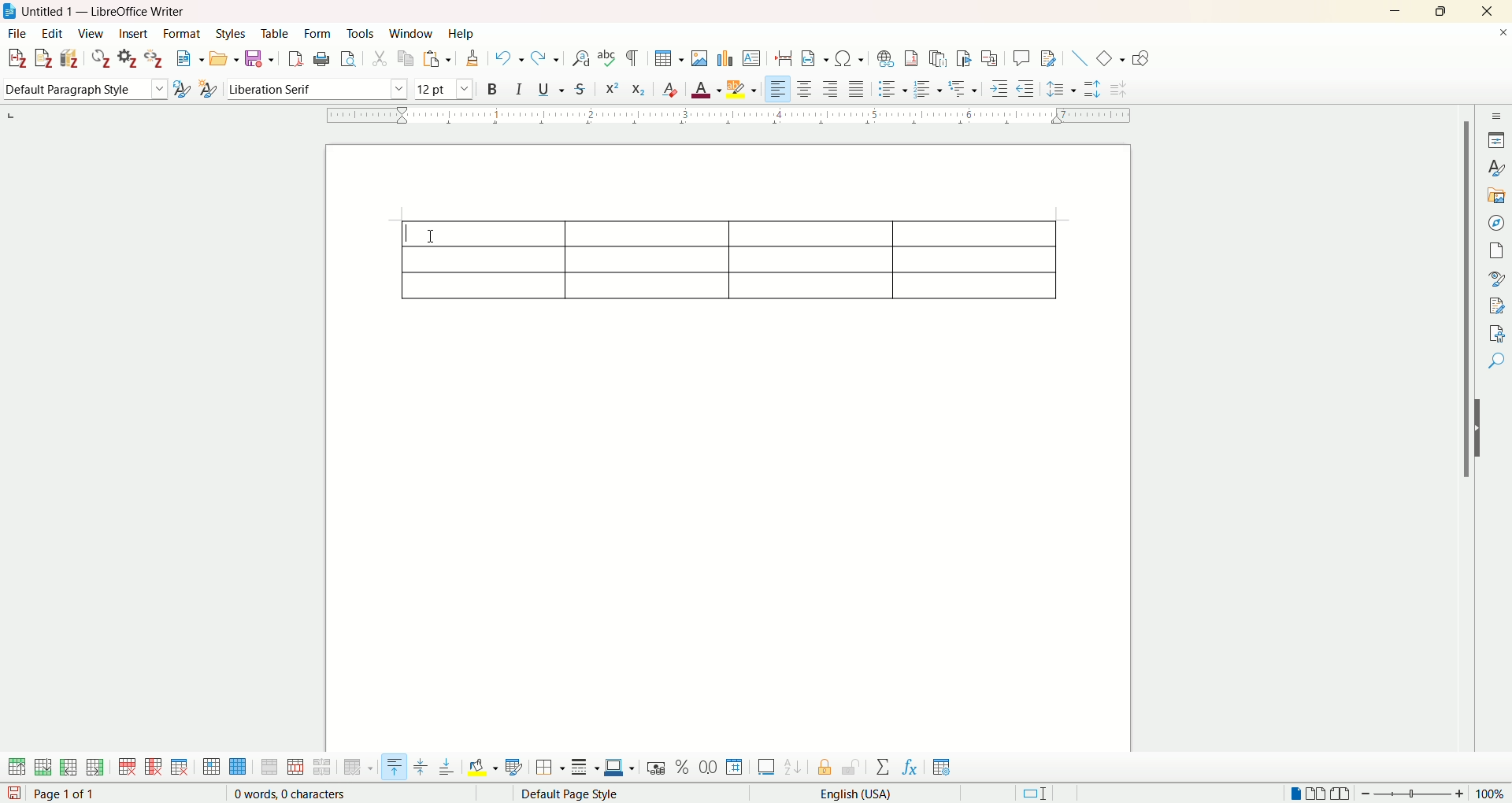 This screenshot has height=803, width=1512. What do you see at coordinates (124, 764) in the screenshot?
I see `delete row` at bounding box center [124, 764].